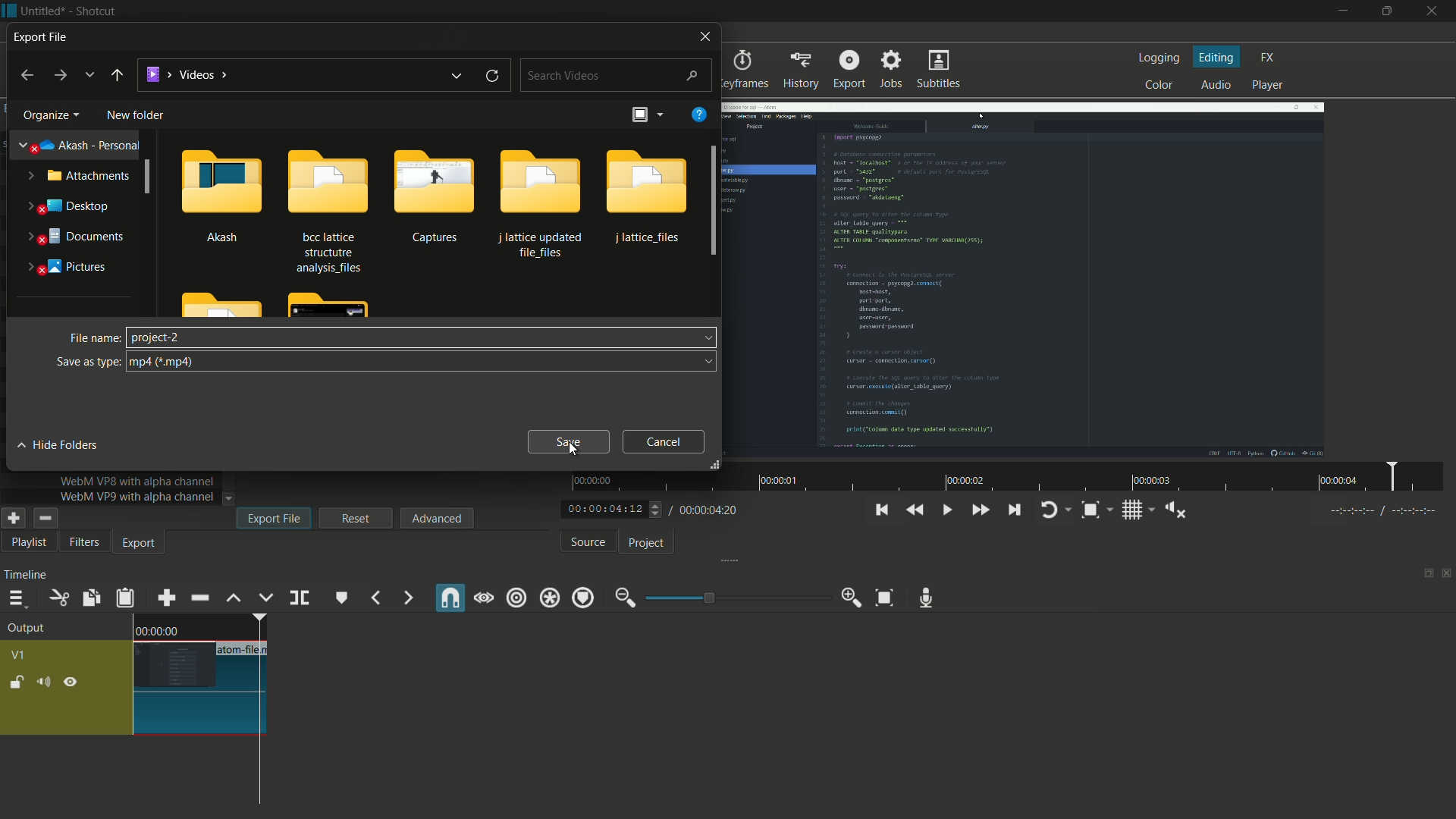 This screenshot has width=1456, height=819. What do you see at coordinates (58, 598) in the screenshot?
I see `cut` at bounding box center [58, 598].